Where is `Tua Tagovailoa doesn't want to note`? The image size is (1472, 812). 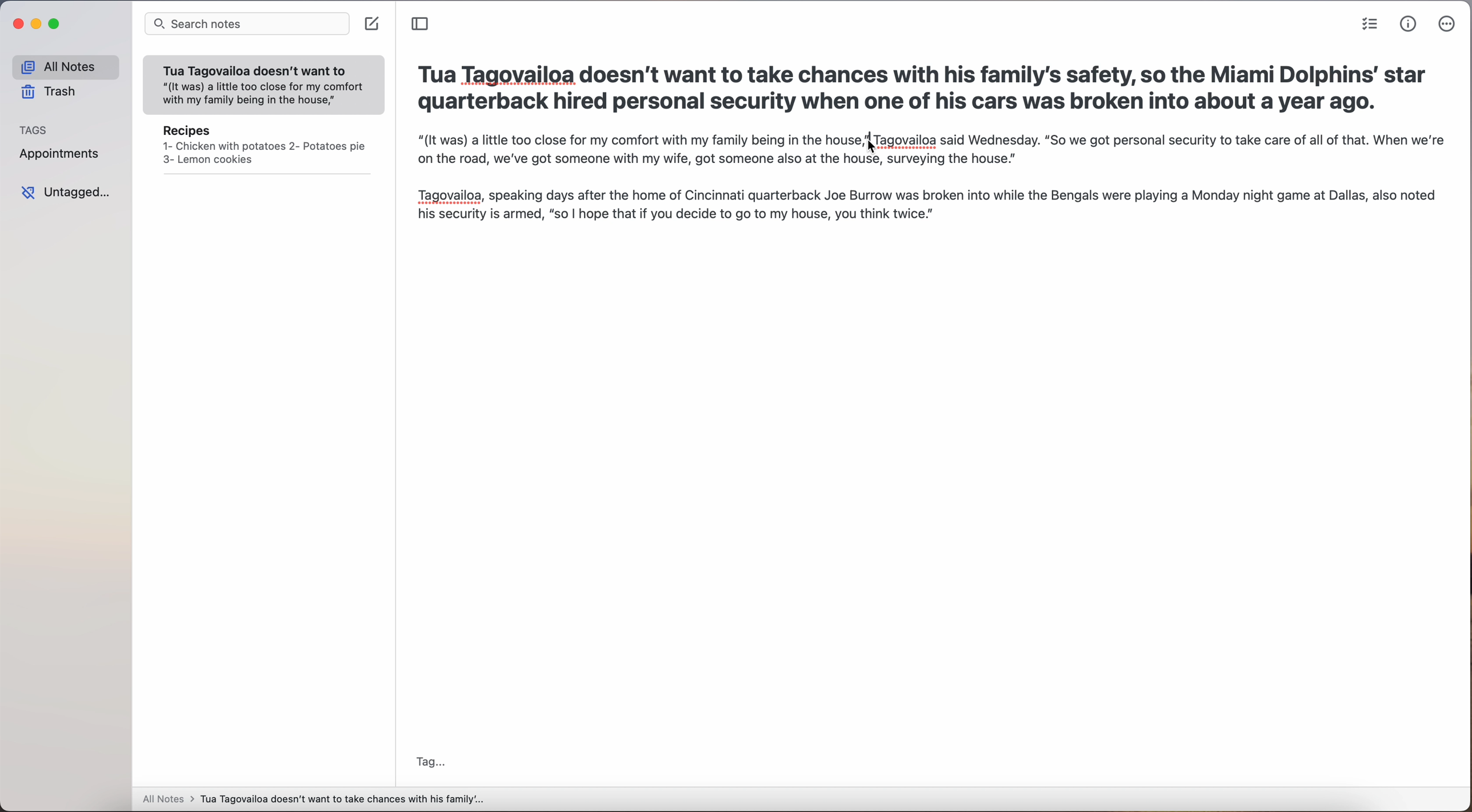 Tua Tagovailoa doesn't want to note is located at coordinates (264, 86).